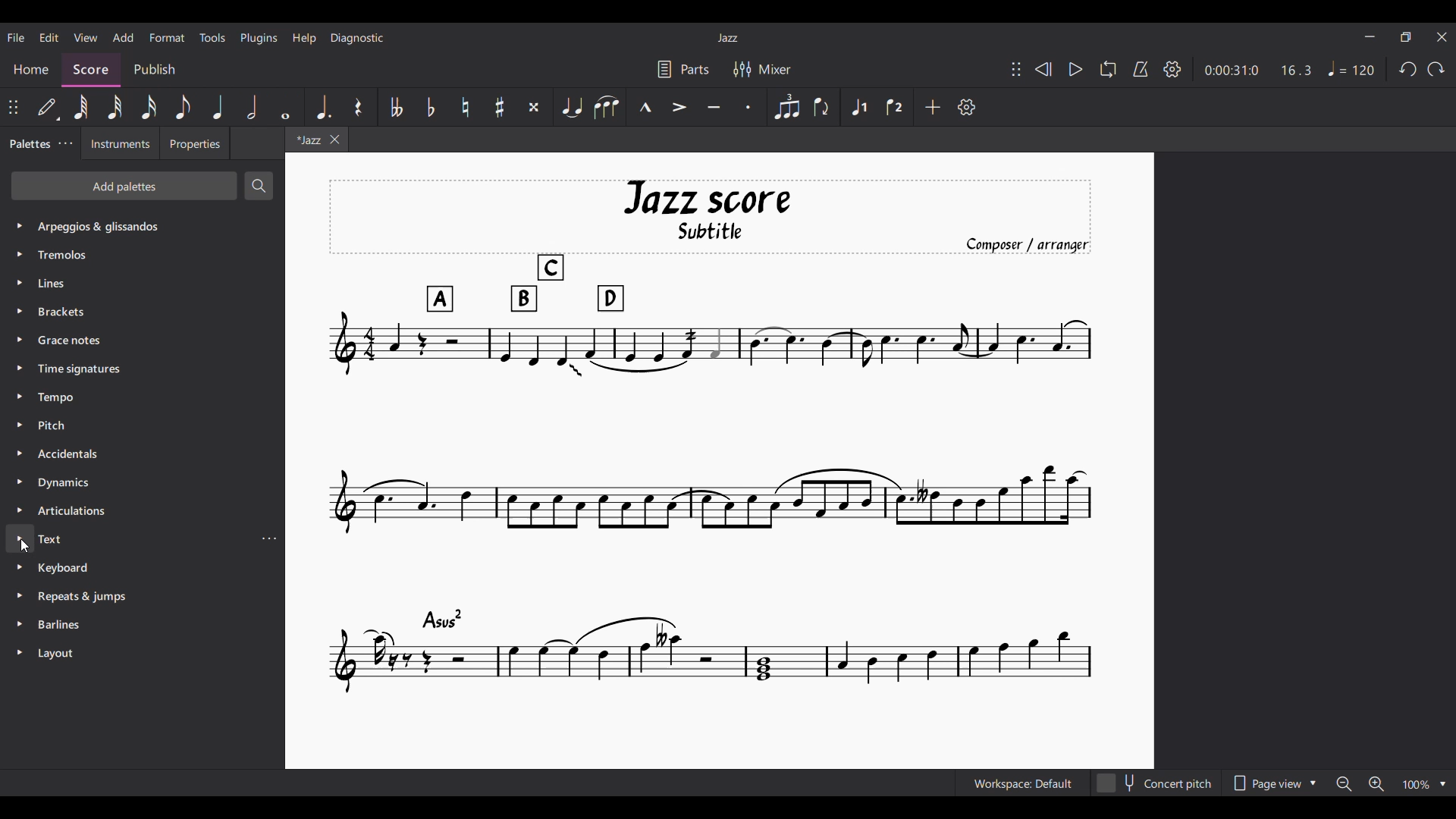  Describe the element at coordinates (118, 146) in the screenshot. I see `Instruments` at that location.